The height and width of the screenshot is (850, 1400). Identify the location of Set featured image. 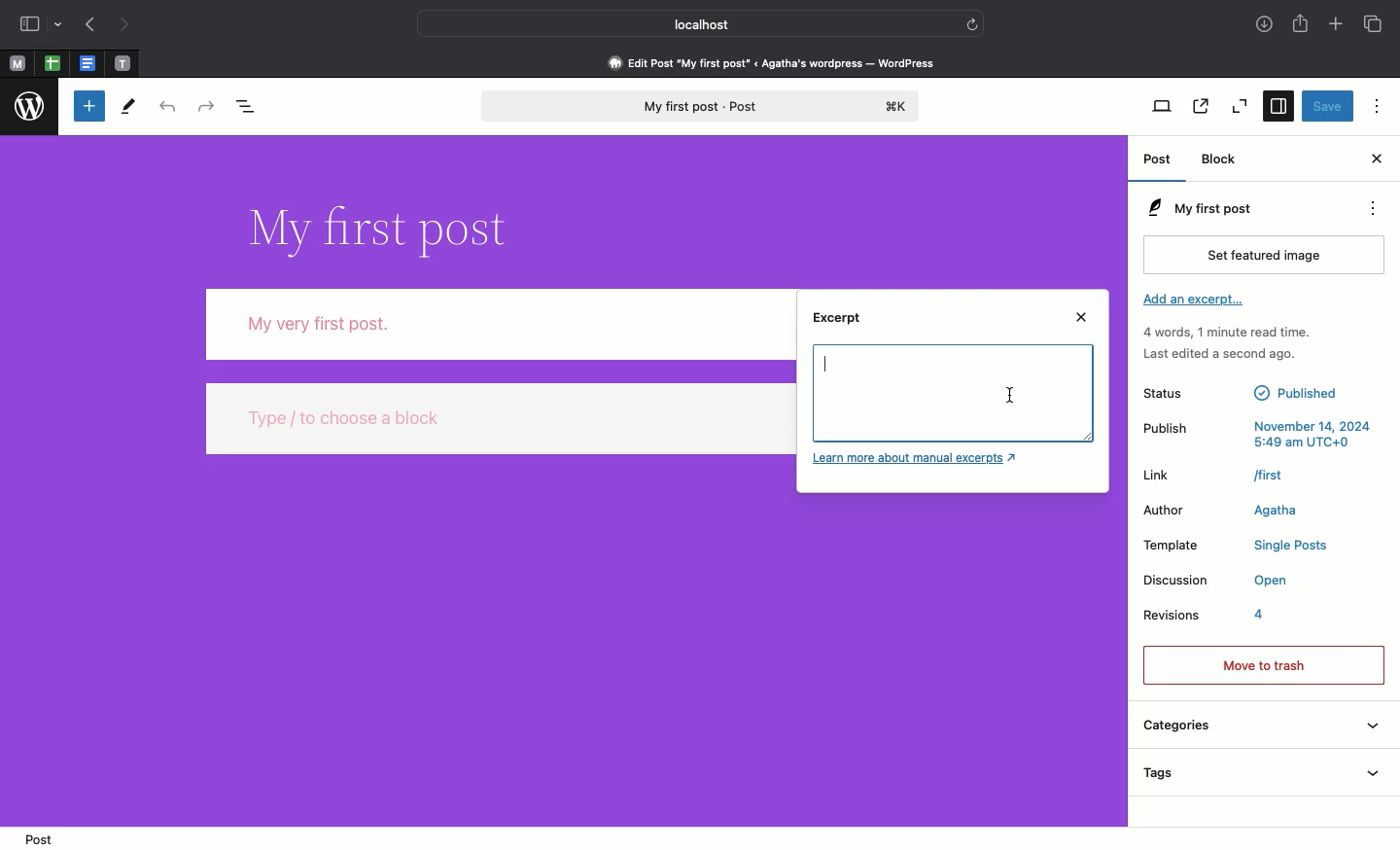
(1268, 254).